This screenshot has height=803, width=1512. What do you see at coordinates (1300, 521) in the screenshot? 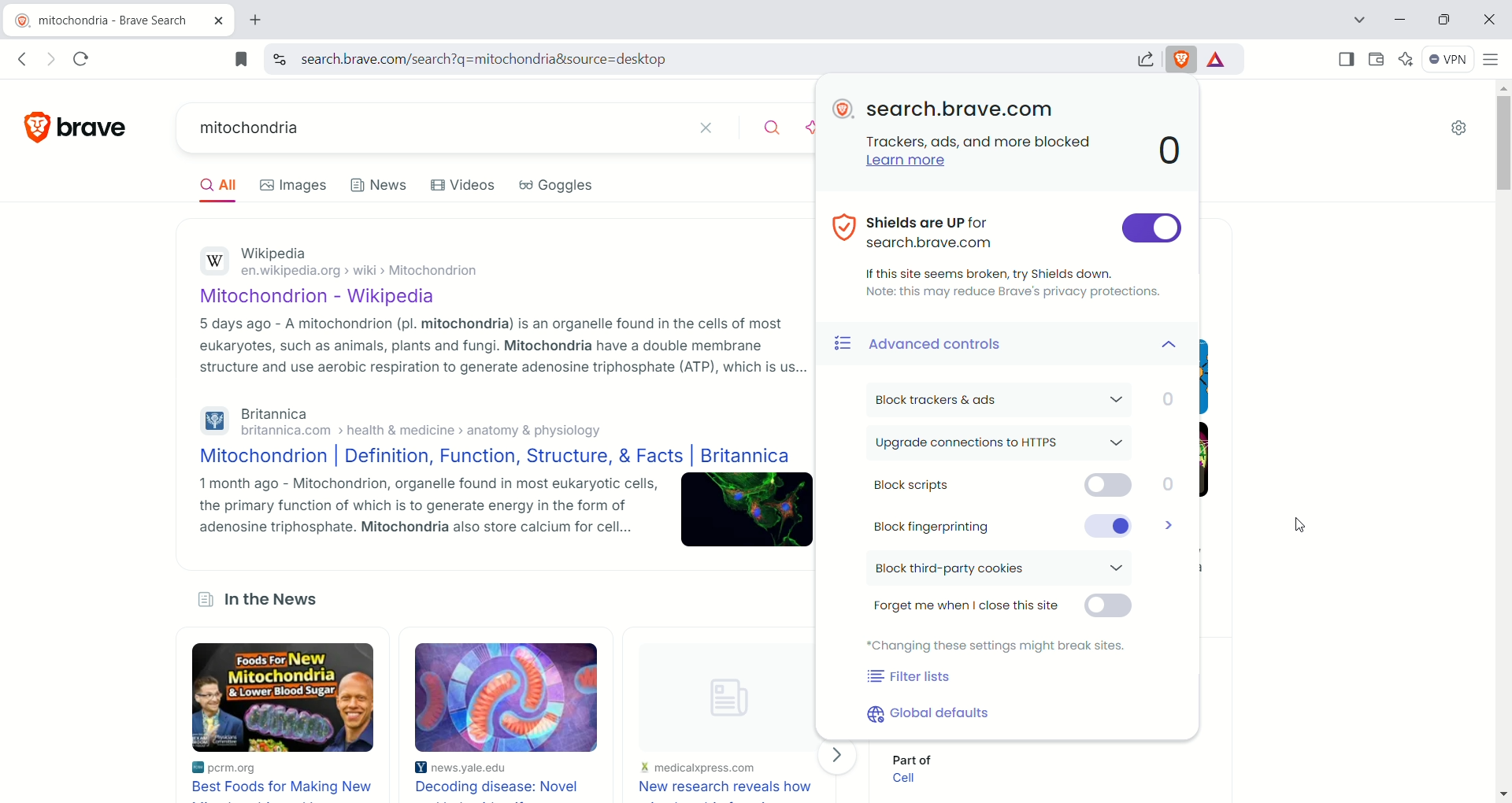
I see `cursor` at bounding box center [1300, 521].